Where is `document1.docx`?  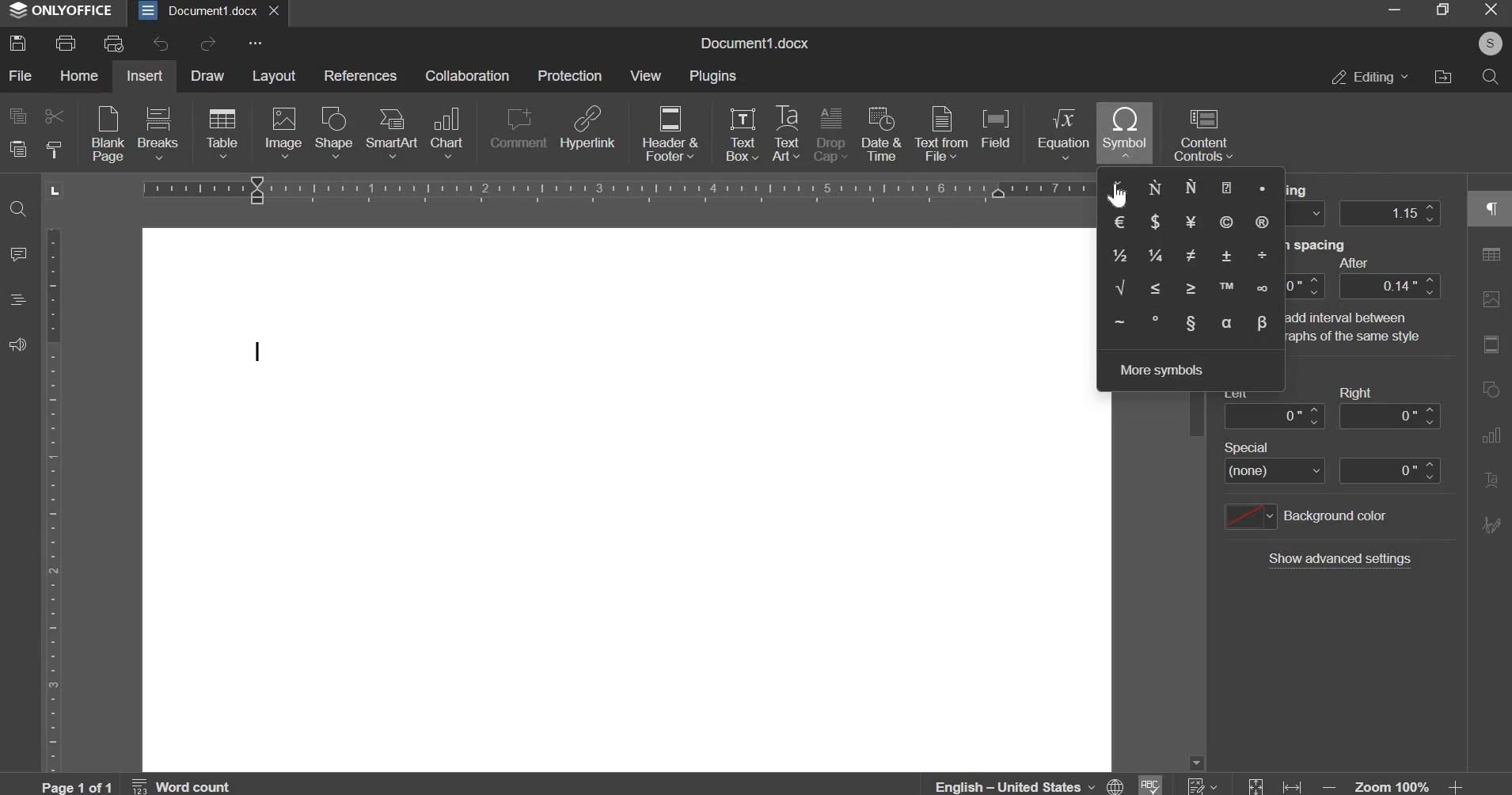 document1.docx is located at coordinates (197, 10).